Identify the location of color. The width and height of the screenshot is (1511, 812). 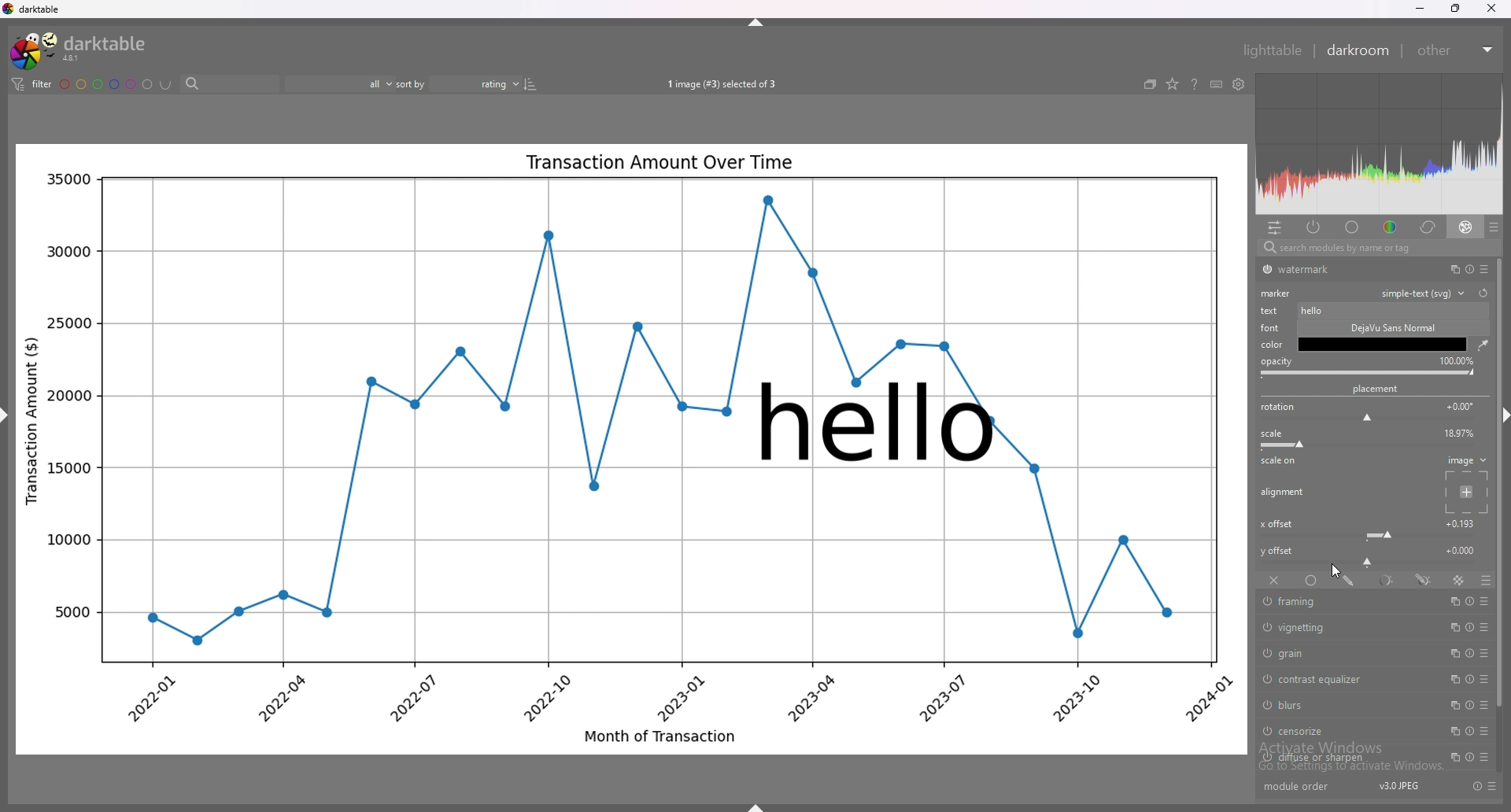
(1387, 227).